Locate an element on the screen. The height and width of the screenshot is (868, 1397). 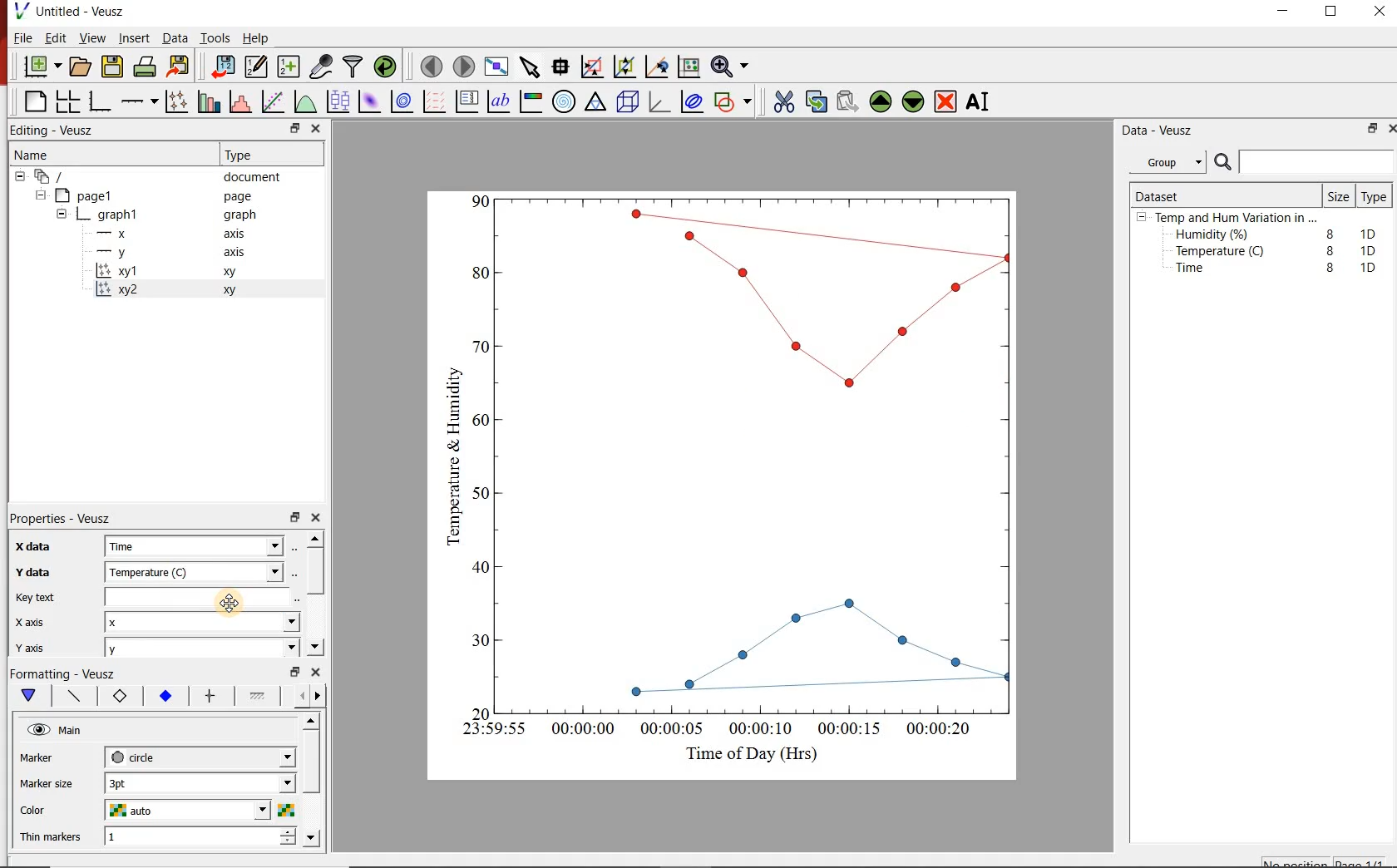
restore down is located at coordinates (294, 518).